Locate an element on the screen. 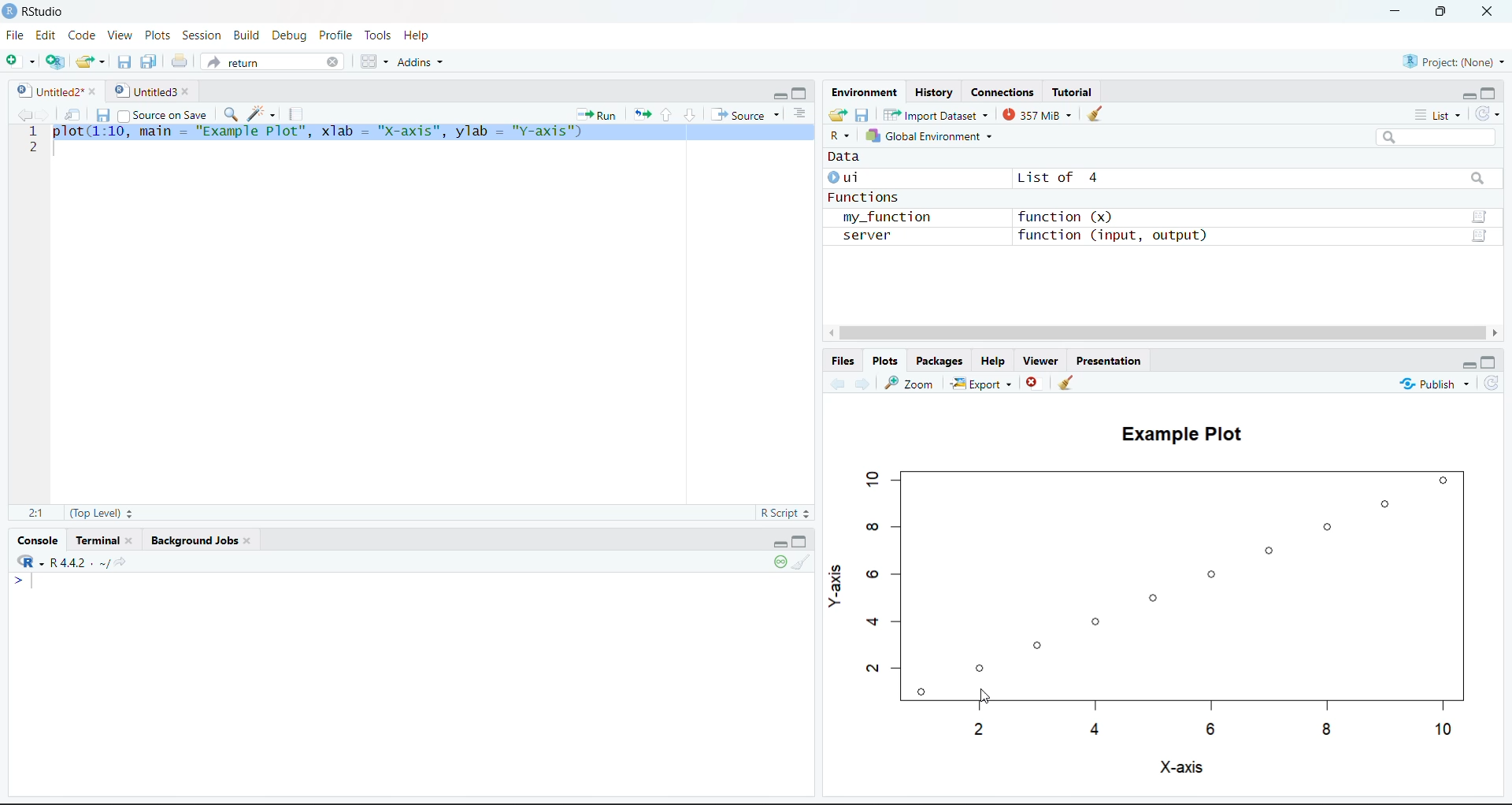  Save current document (Ctrl + S) is located at coordinates (124, 63).